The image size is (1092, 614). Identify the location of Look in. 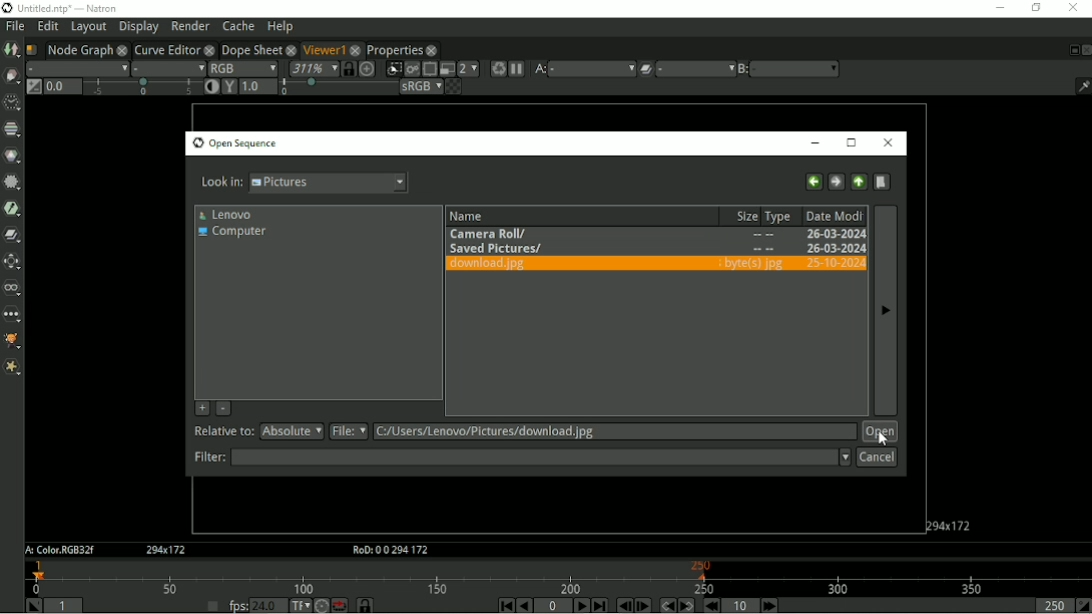
(221, 184).